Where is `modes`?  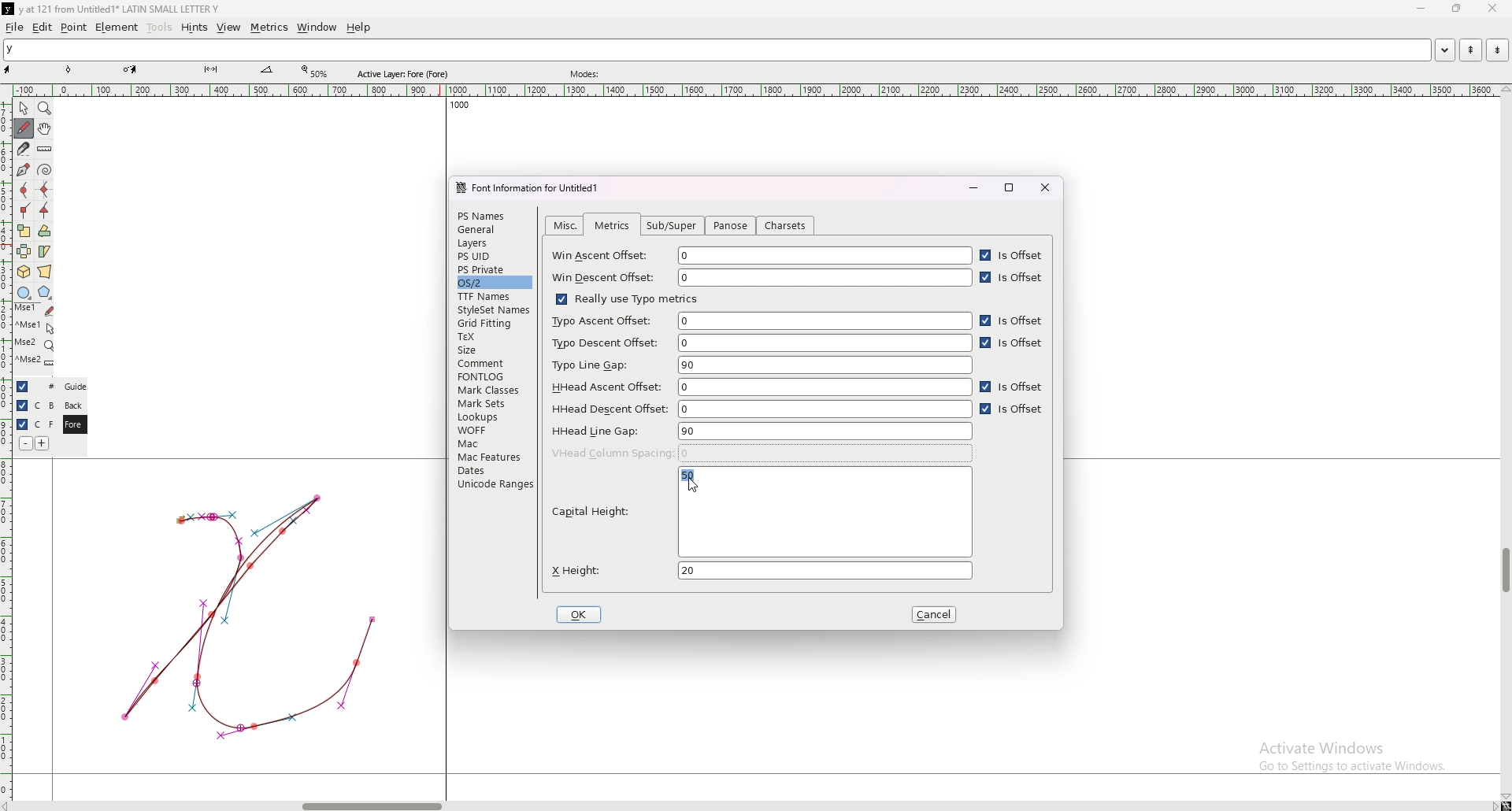
modes is located at coordinates (587, 74).